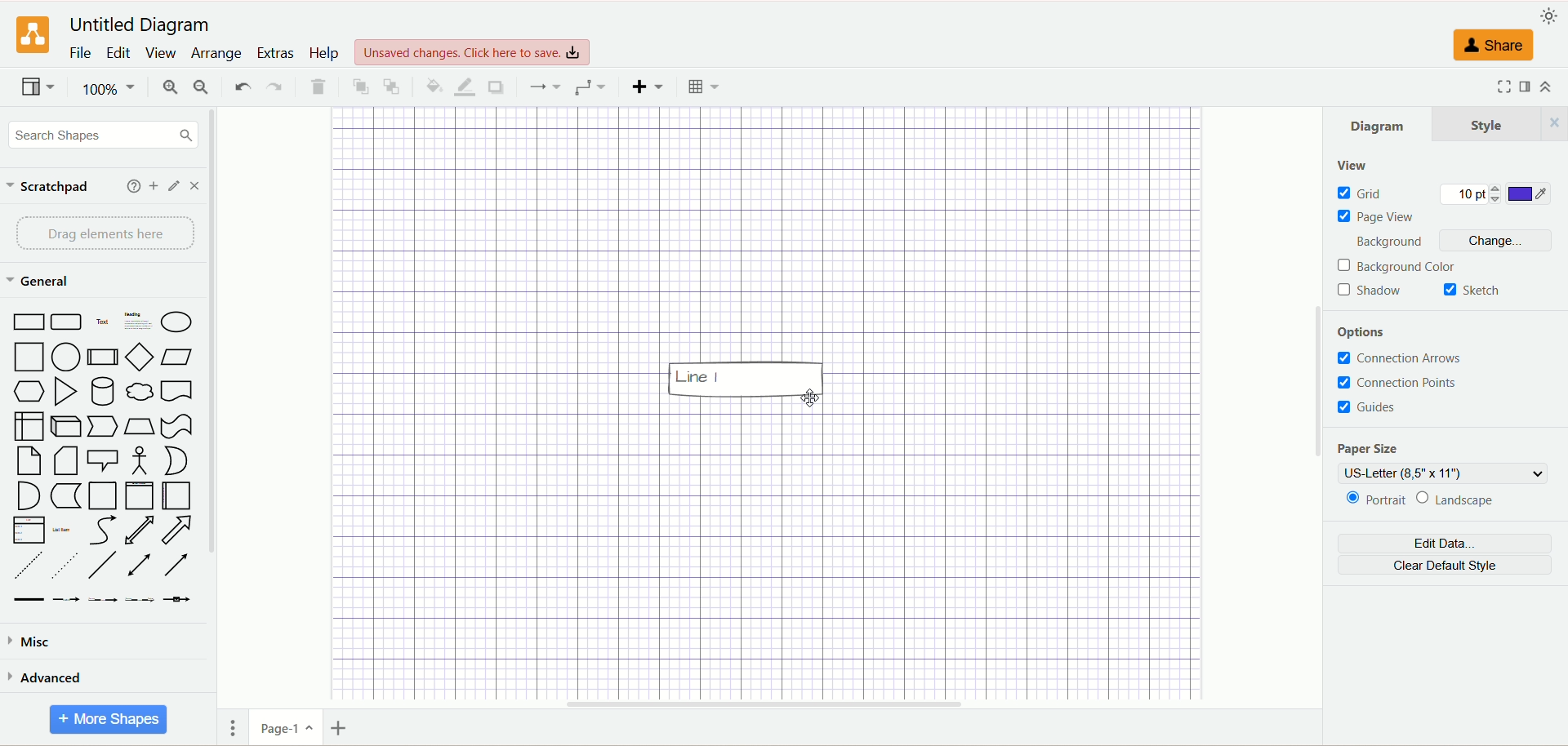 This screenshot has height=746, width=1568. I want to click on Card, so click(65, 461).